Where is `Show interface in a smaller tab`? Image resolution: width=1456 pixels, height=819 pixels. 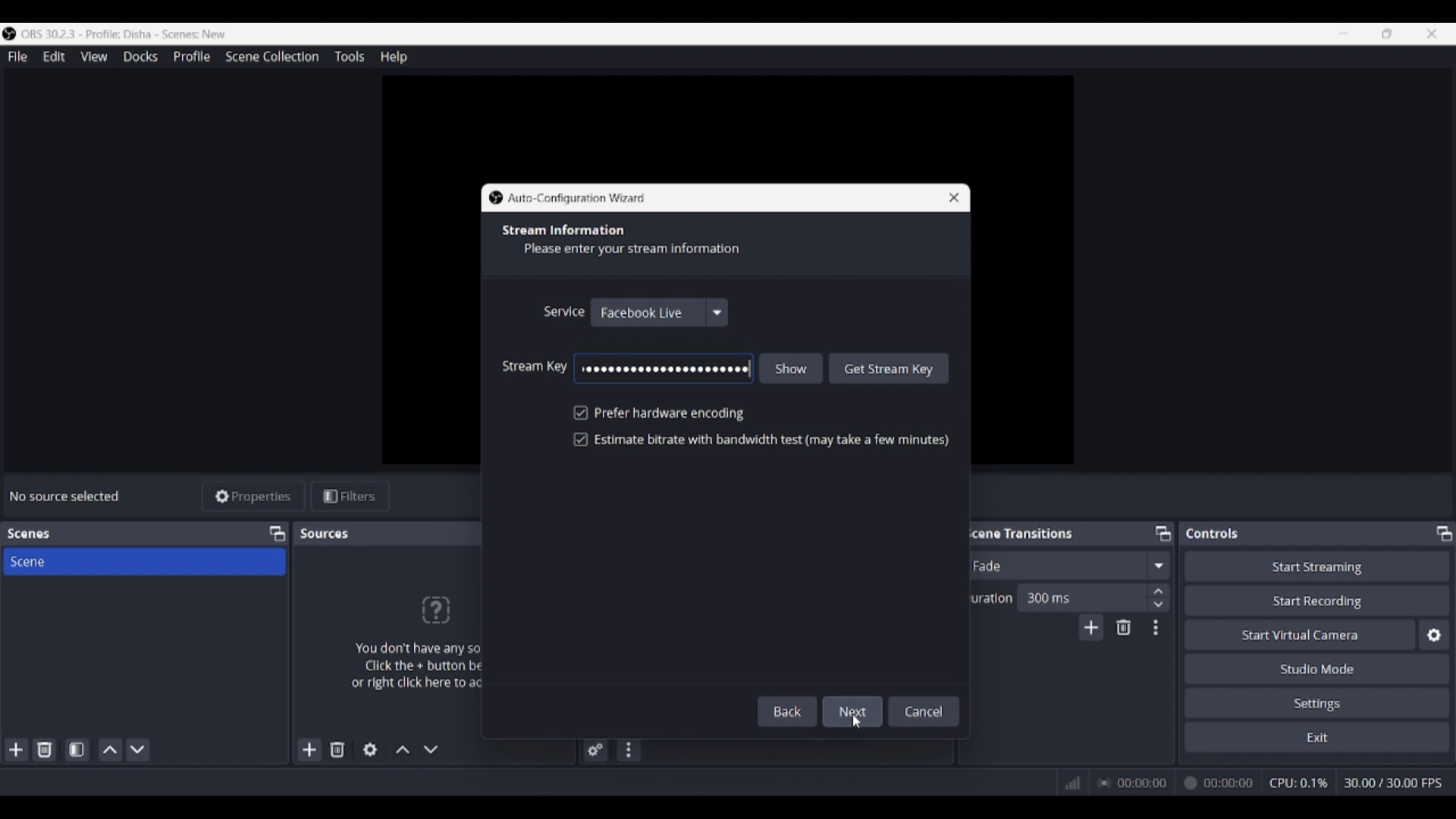
Show interface in a smaller tab is located at coordinates (1387, 33).